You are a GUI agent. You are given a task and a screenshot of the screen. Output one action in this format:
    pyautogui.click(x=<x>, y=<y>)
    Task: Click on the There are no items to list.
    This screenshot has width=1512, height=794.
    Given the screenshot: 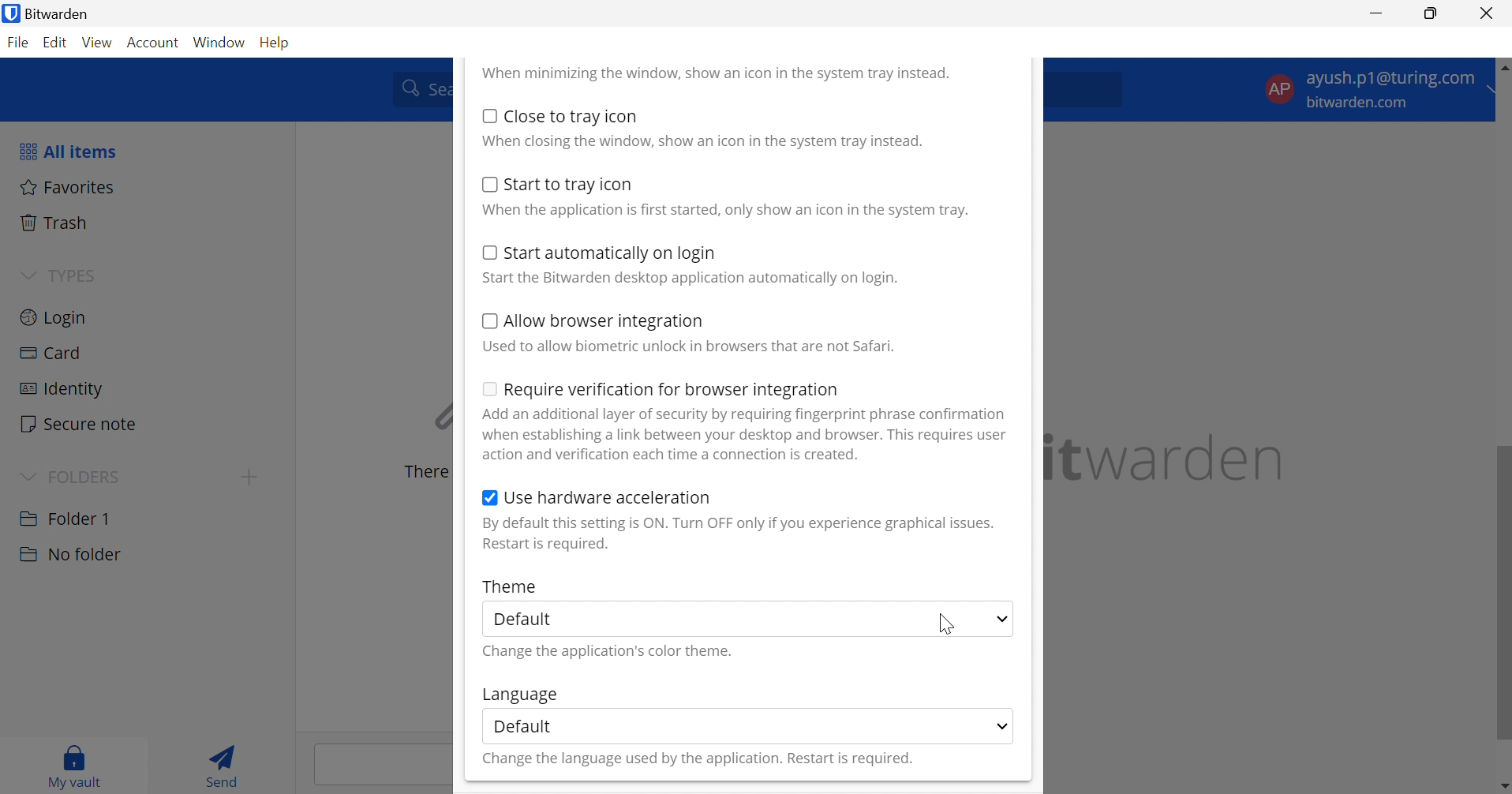 What is the action you would take?
    pyautogui.click(x=422, y=472)
    